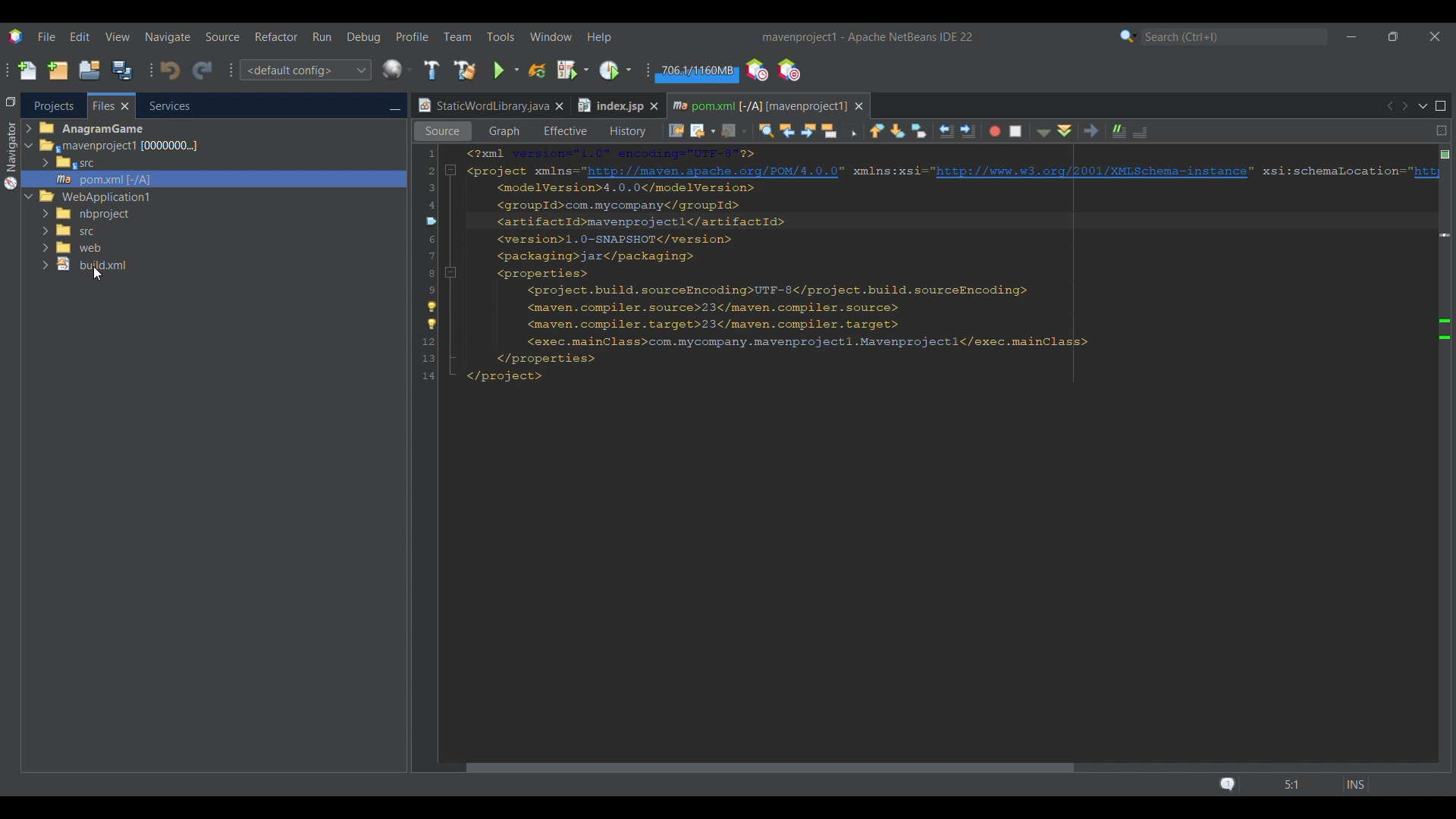  Describe the element at coordinates (1442, 130) in the screenshot. I see `Split window horizontally or vertically` at that location.